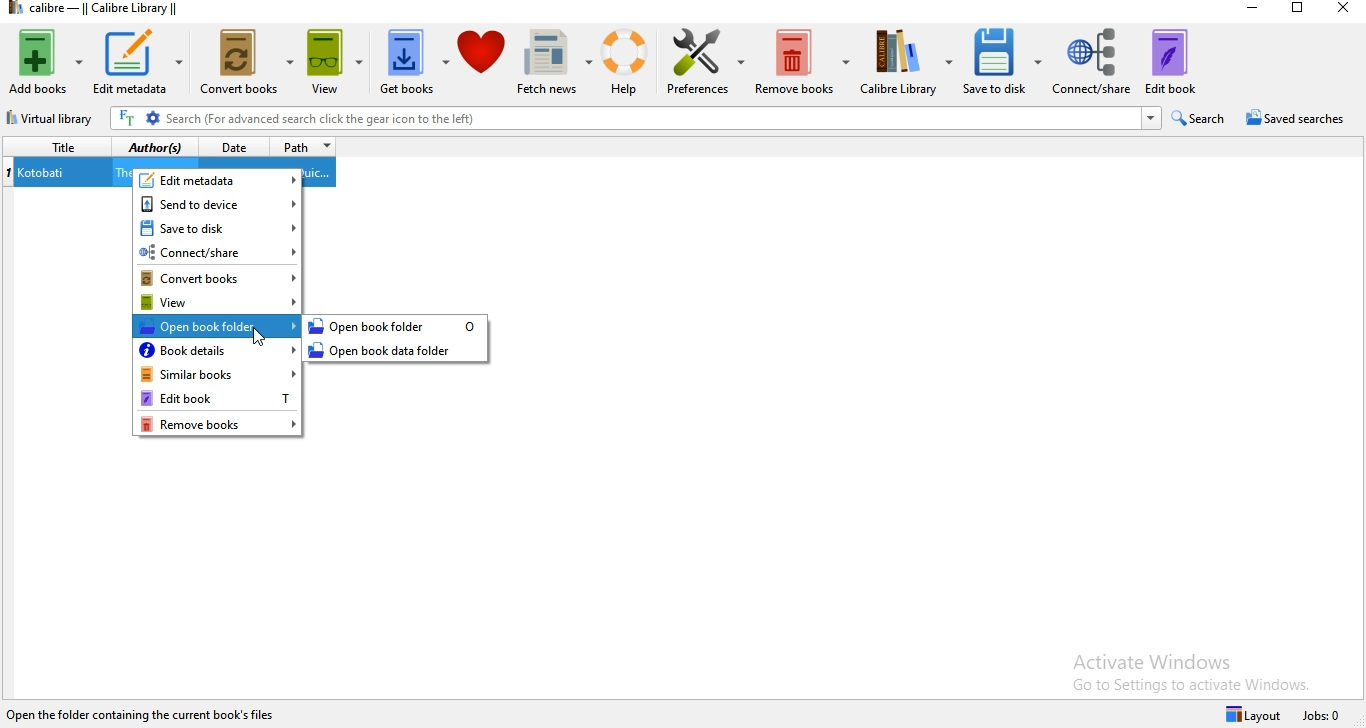  Describe the element at coordinates (802, 60) in the screenshot. I see `remove books` at that location.